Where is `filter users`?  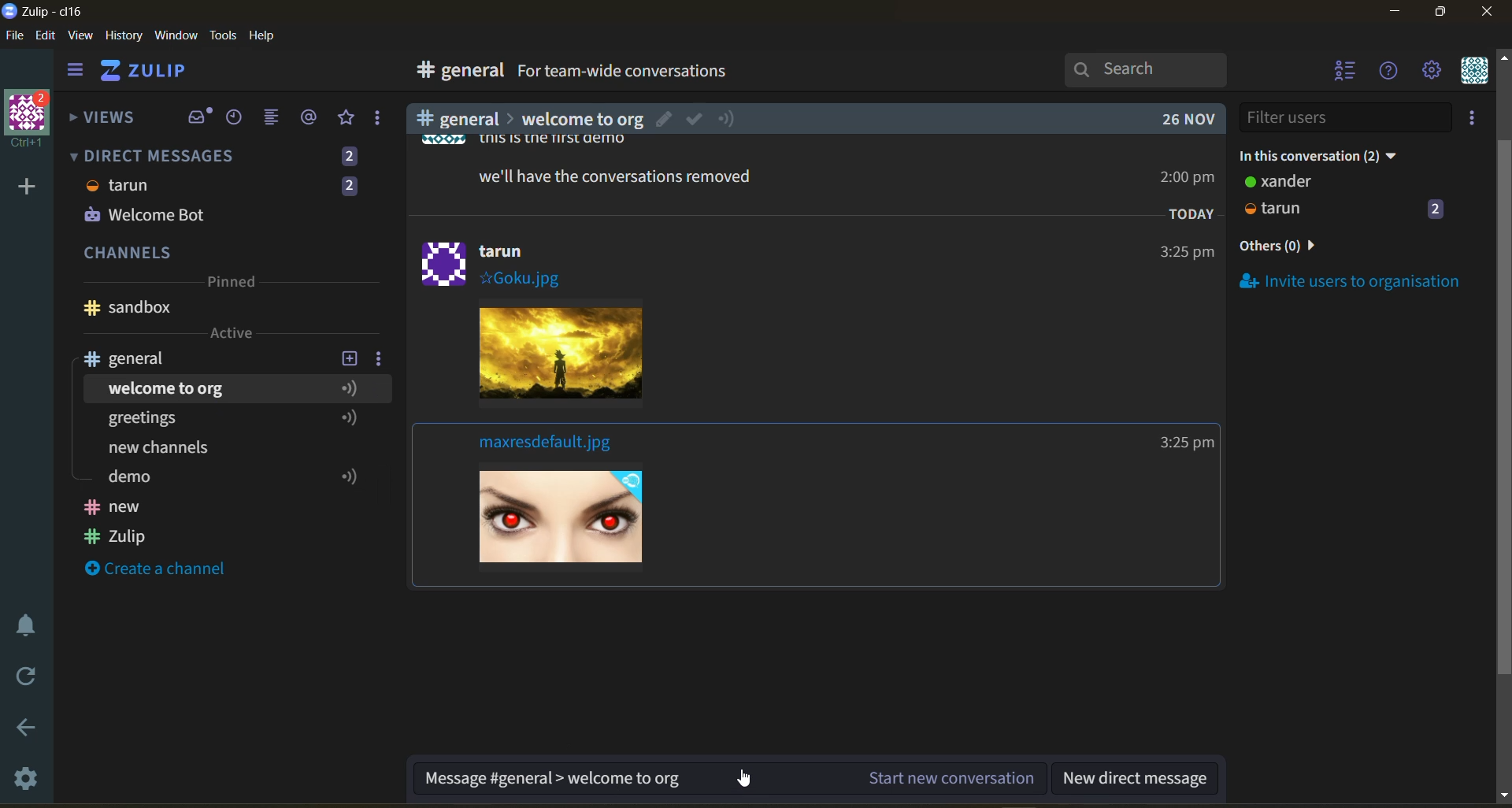
filter users is located at coordinates (1347, 117).